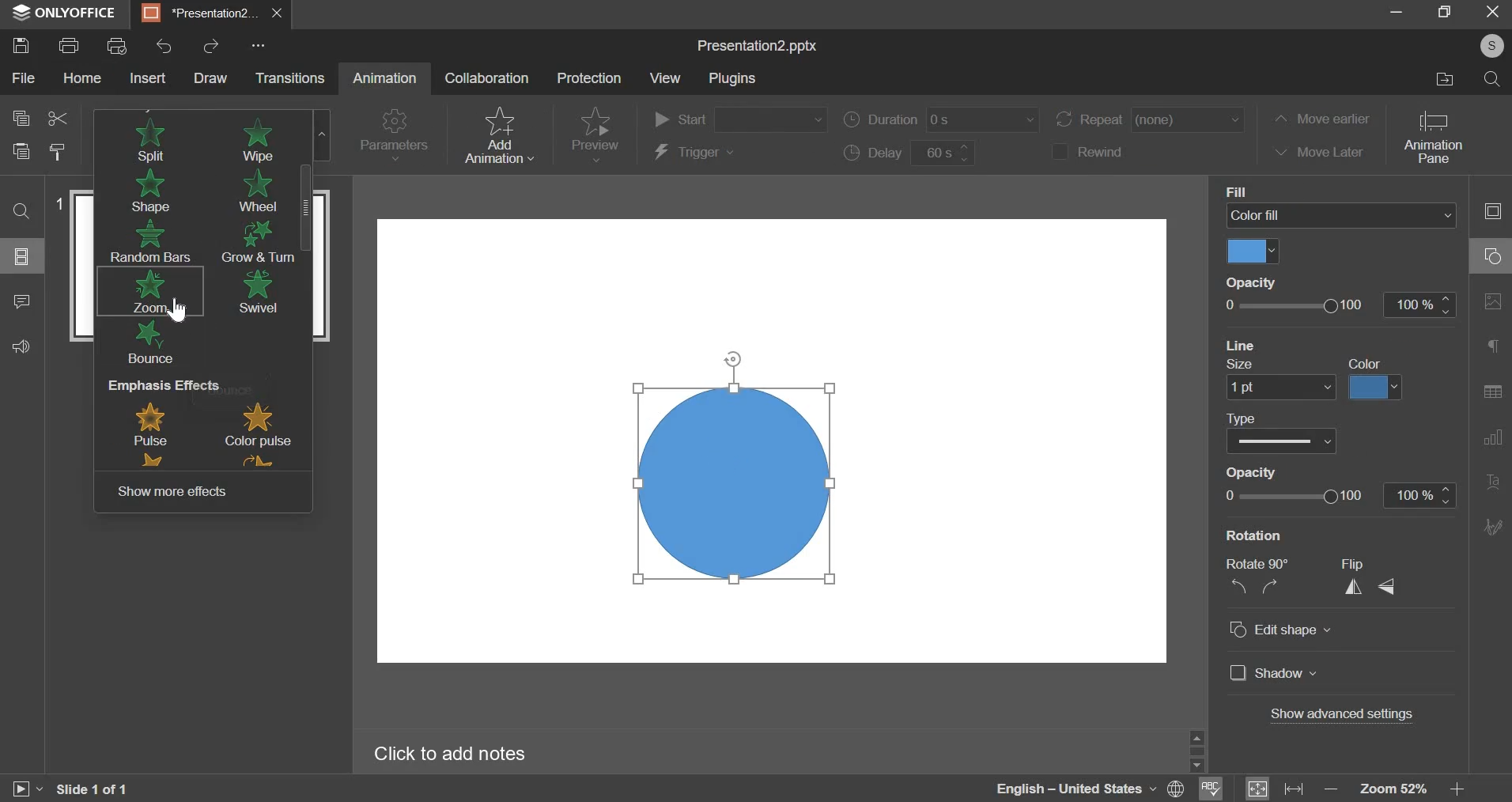 This screenshot has width=1512, height=802. What do you see at coordinates (592, 80) in the screenshot?
I see `Protection` at bounding box center [592, 80].